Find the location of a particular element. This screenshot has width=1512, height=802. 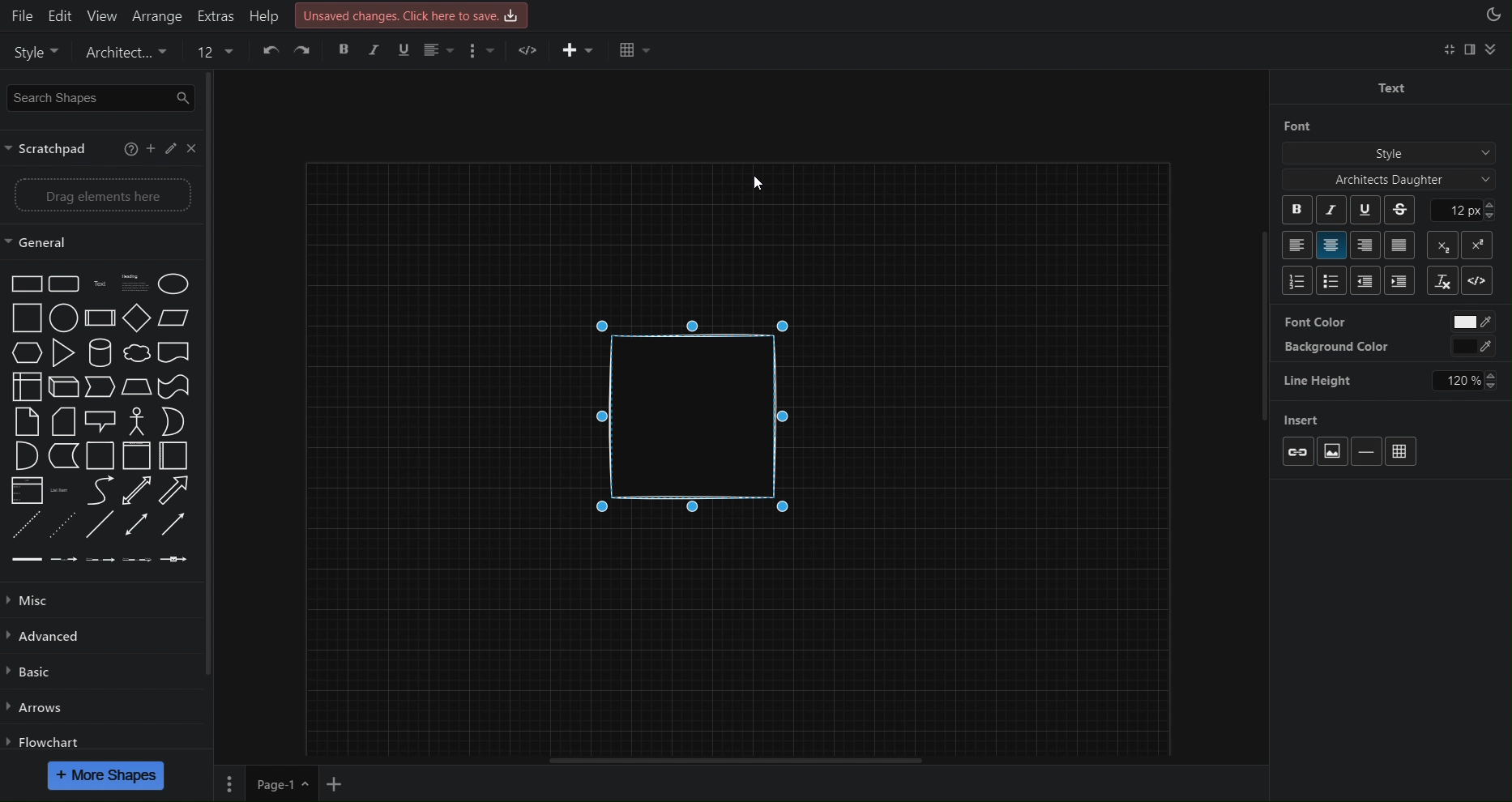

Fullscreen is located at coordinates (1447, 51).